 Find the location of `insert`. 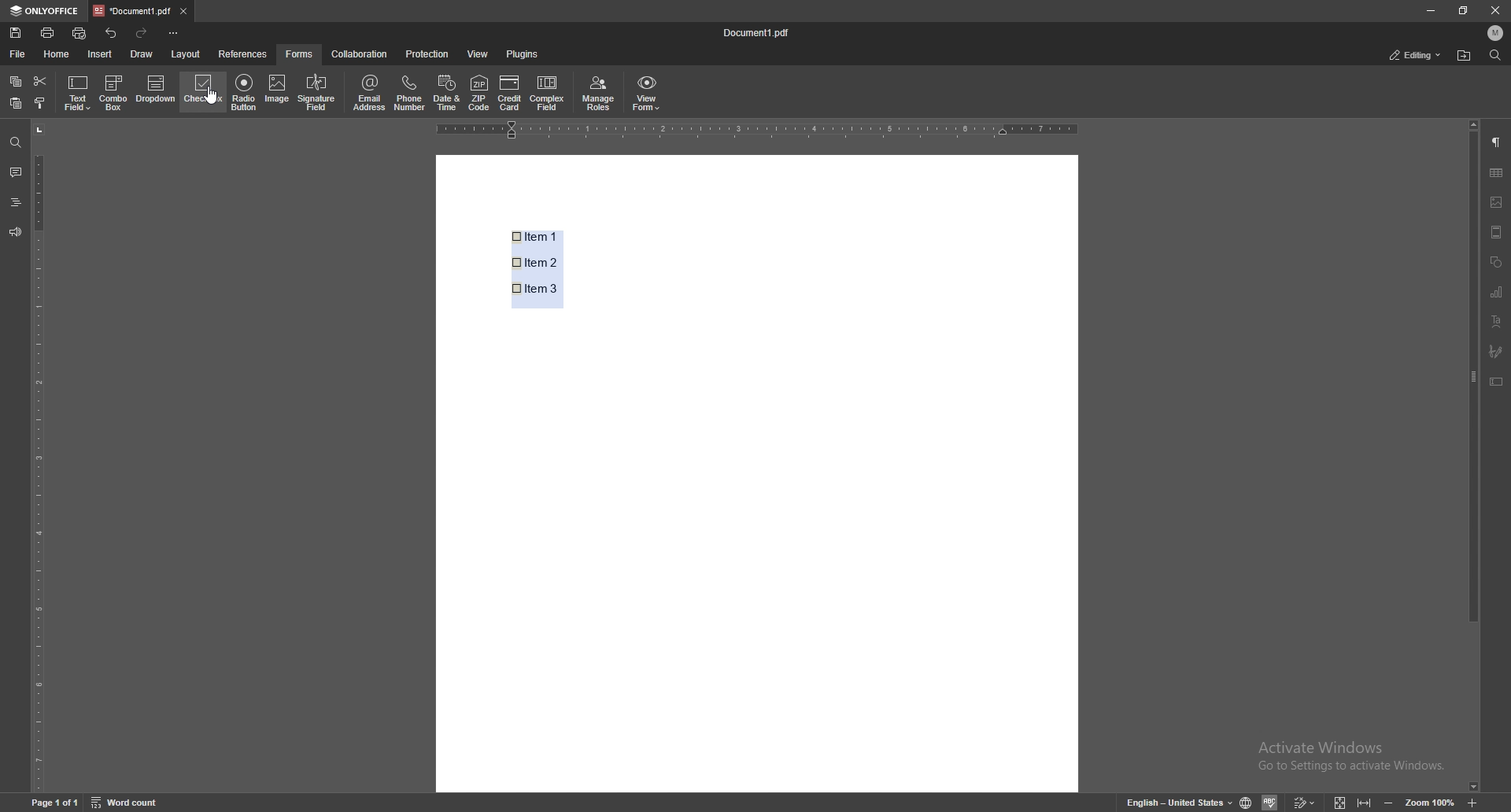

insert is located at coordinates (101, 54).